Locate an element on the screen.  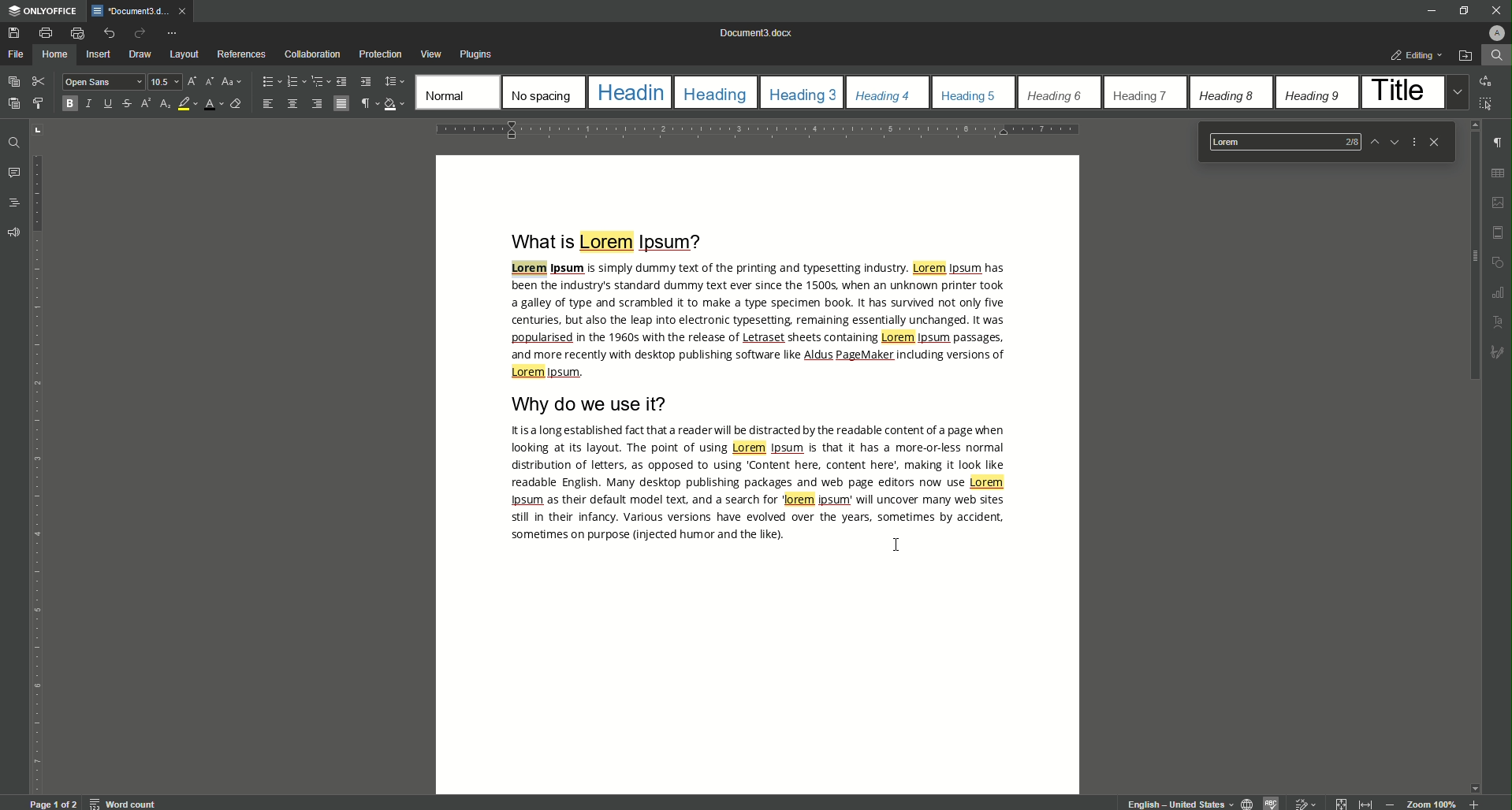
Undo is located at coordinates (104, 33).